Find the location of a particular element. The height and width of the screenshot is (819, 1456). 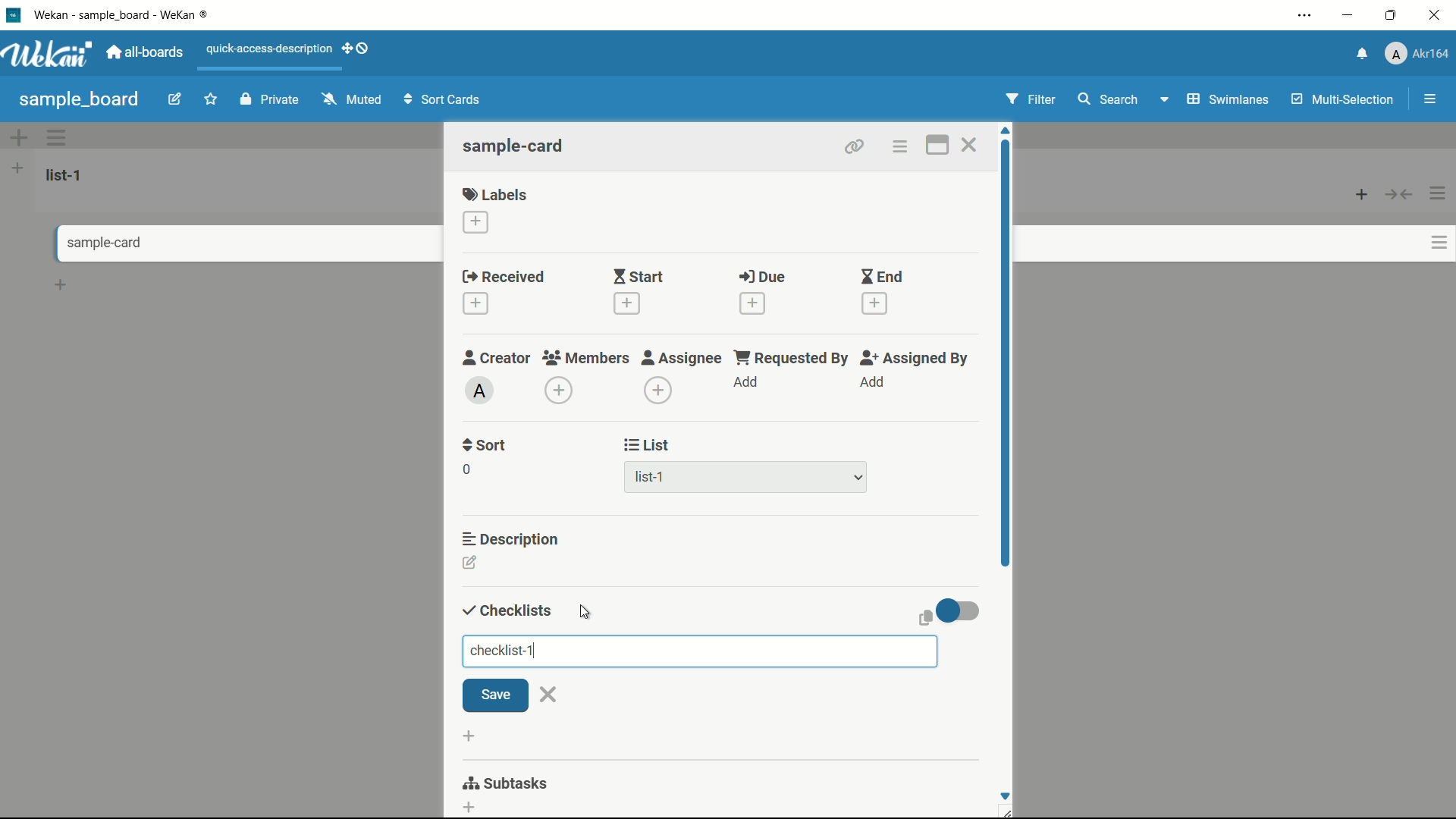

add is located at coordinates (747, 383).